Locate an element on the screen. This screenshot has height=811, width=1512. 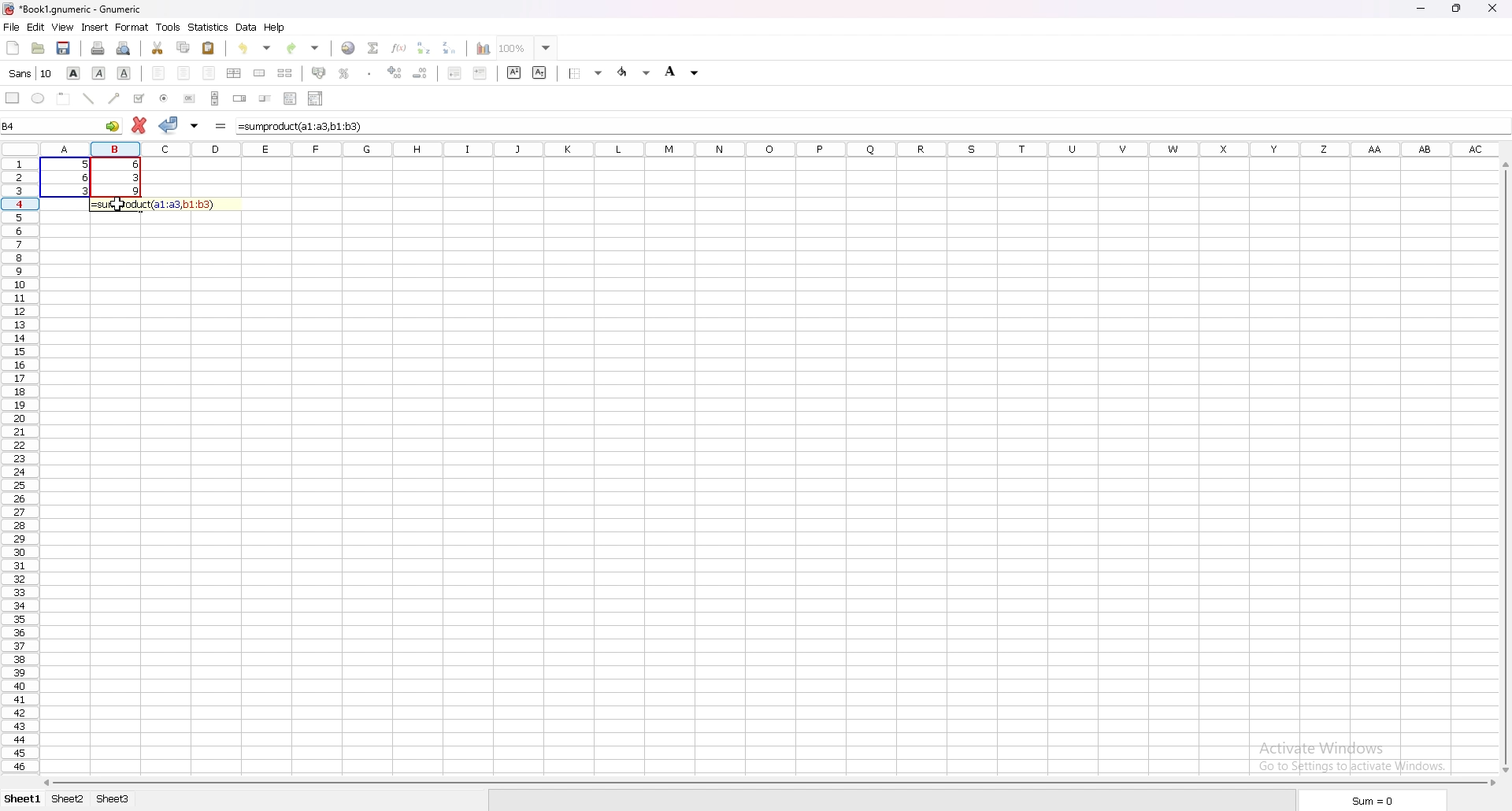
zoom is located at coordinates (528, 46).